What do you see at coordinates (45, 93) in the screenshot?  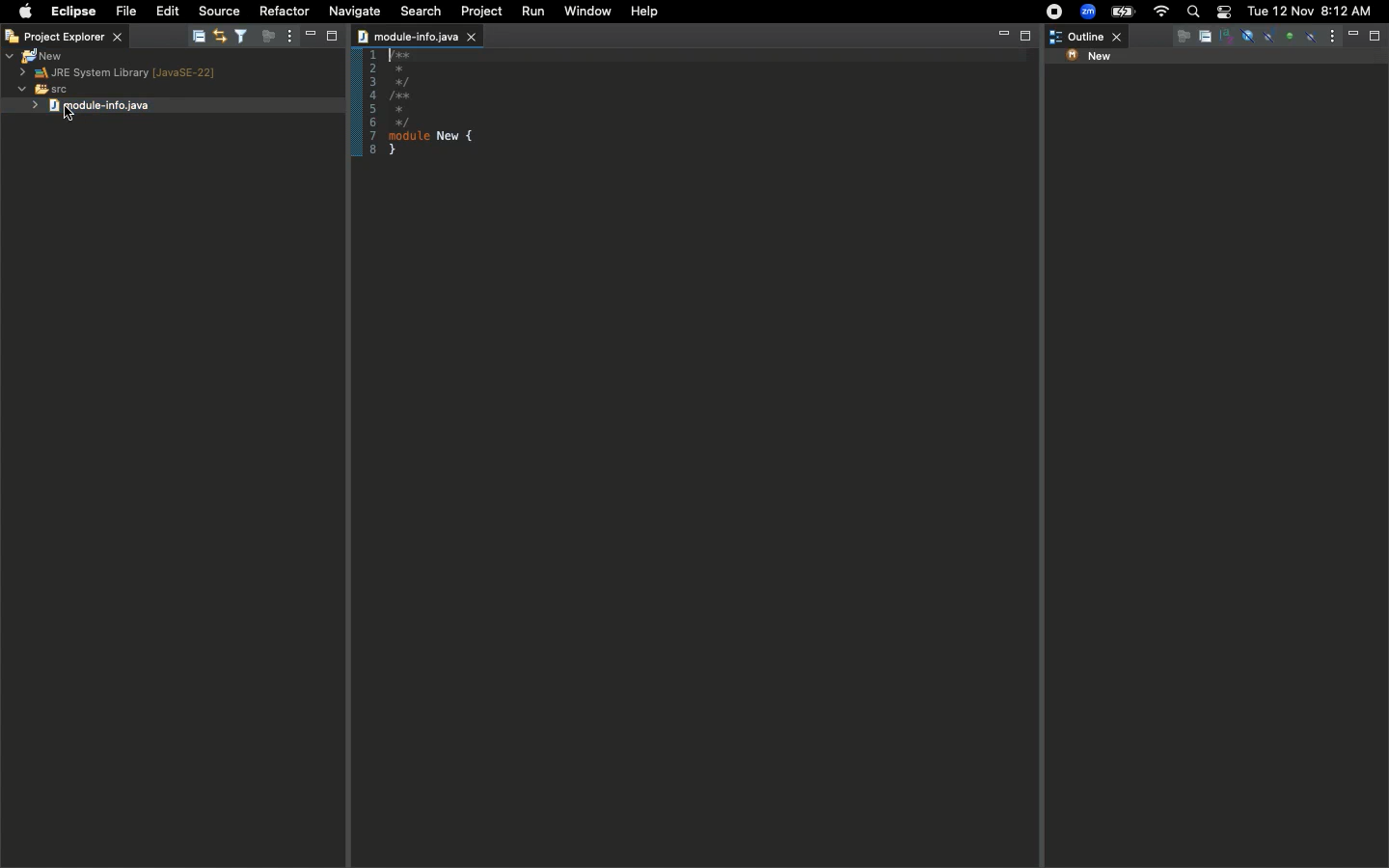 I see `SRC` at bounding box center [45, 93].